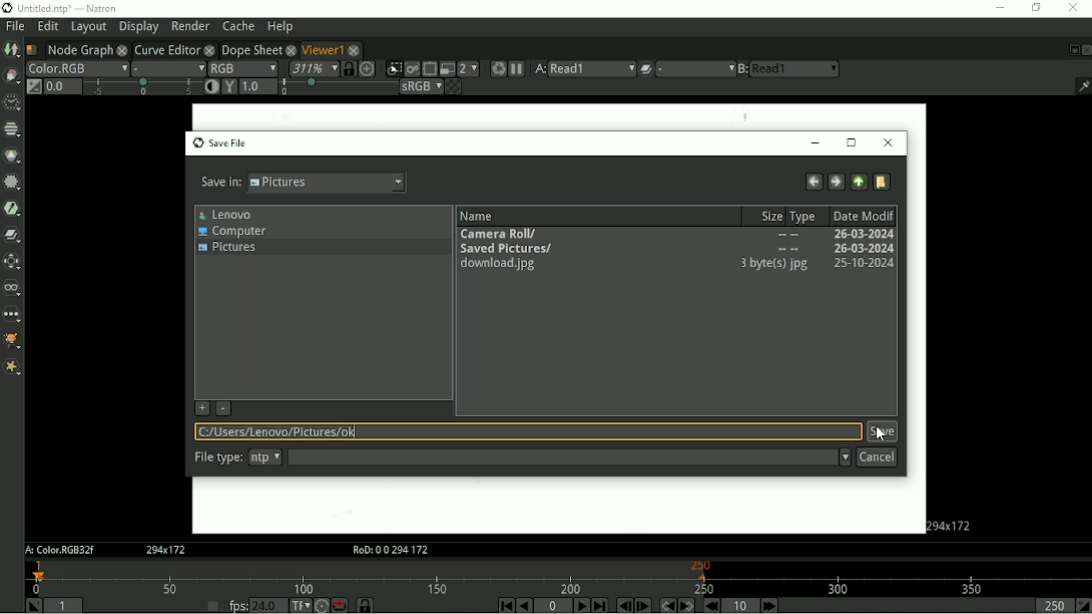  Describe the element at coordinates (677, 264) in the screenshot. I see `download.jpg` at that location.